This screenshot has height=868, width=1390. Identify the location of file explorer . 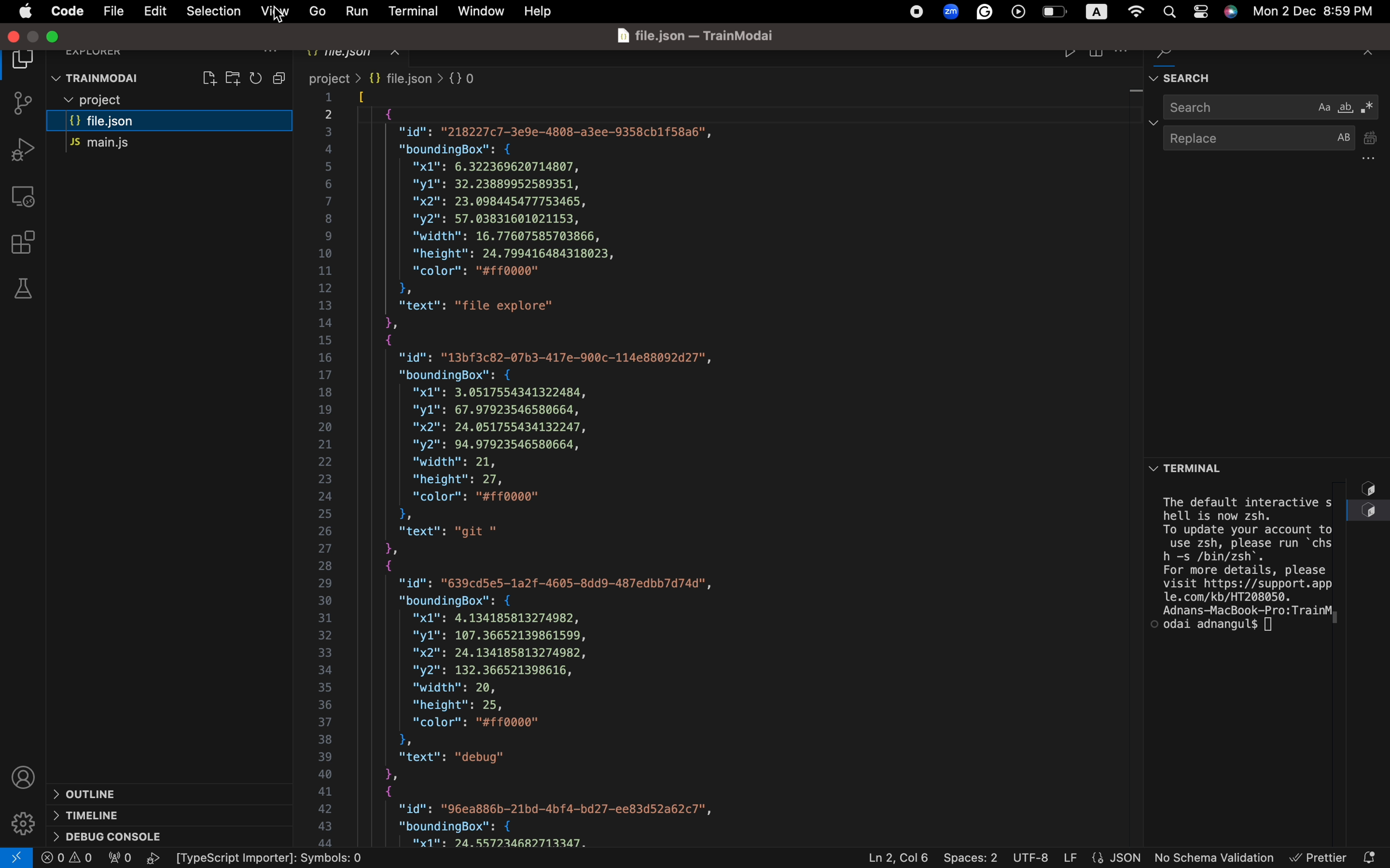
(24, 59).